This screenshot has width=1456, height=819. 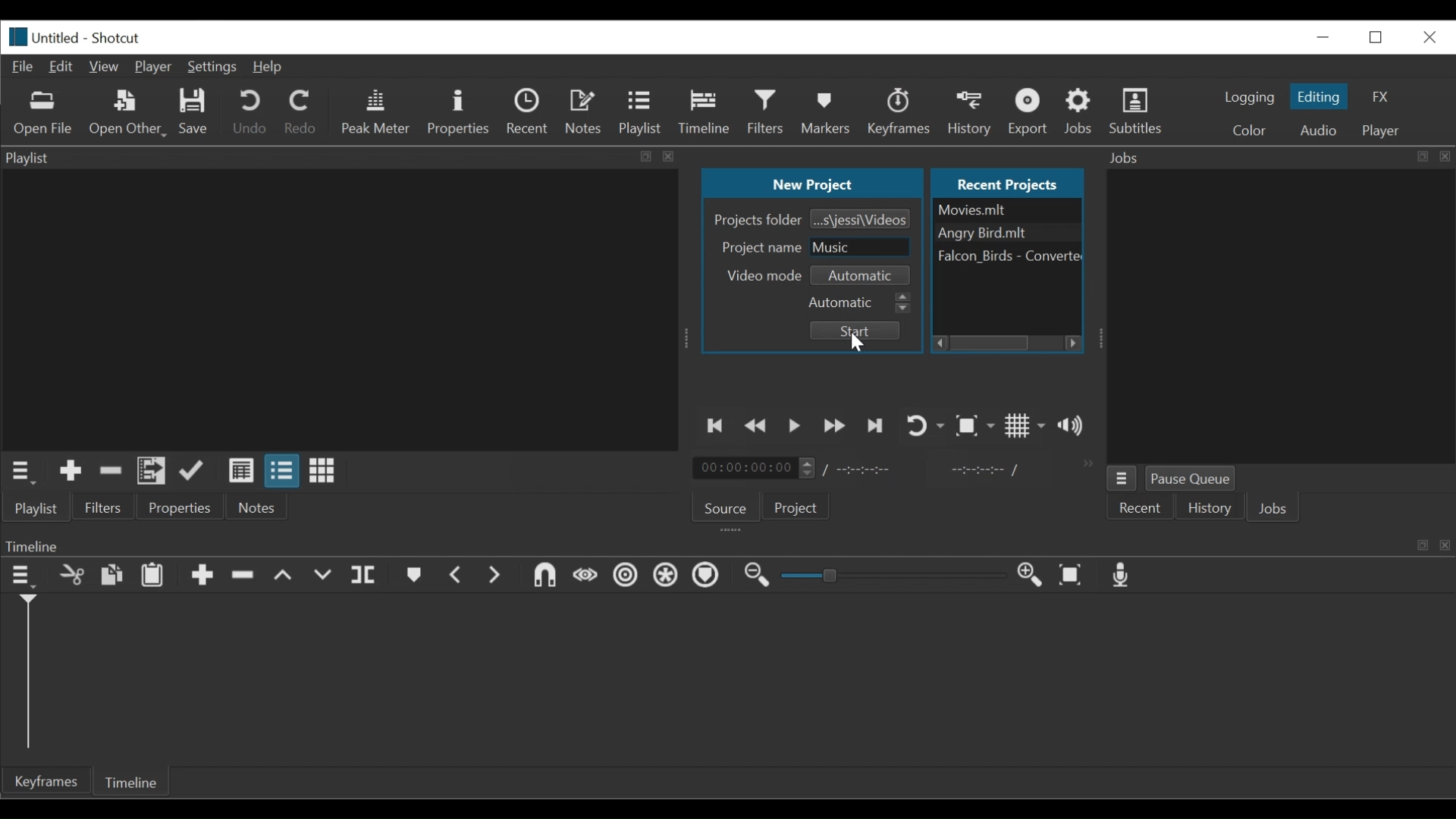 I want to click on Filters, so click(x=104, y=507).